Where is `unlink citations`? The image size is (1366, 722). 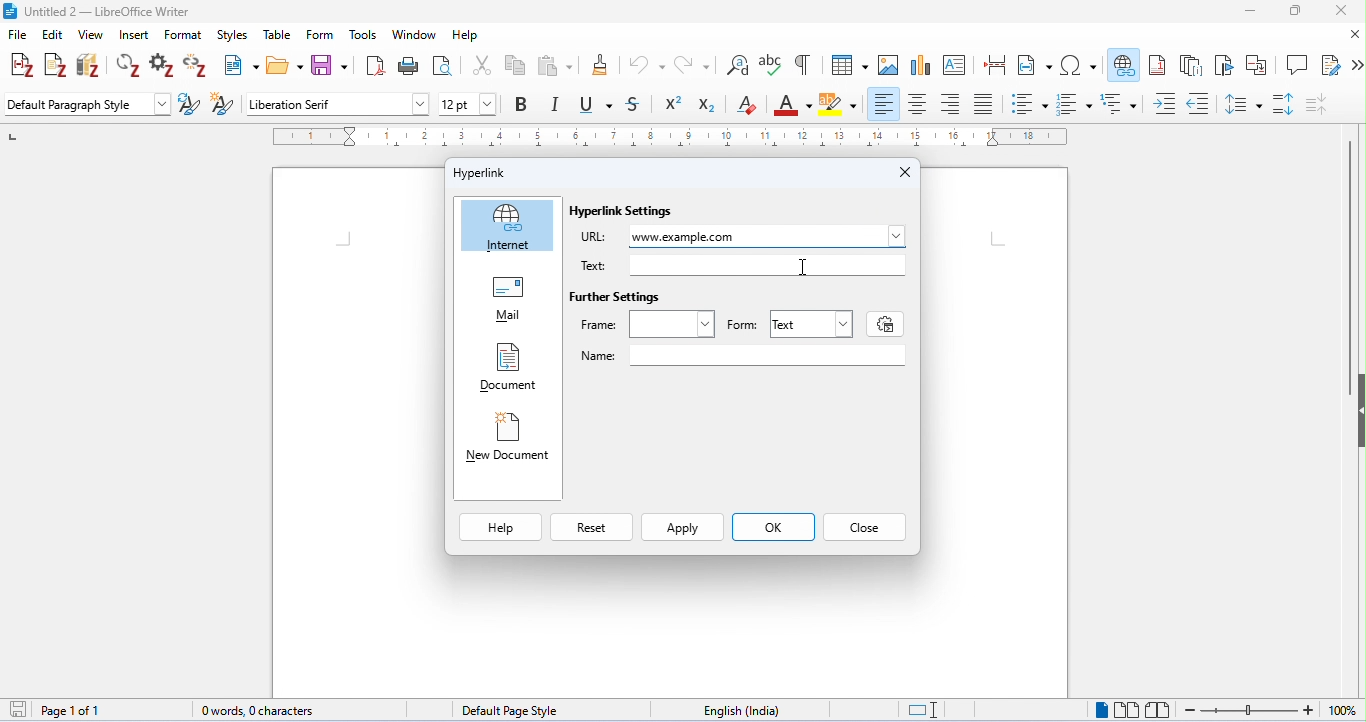
unlink citations is located at coordinates (195, 67).